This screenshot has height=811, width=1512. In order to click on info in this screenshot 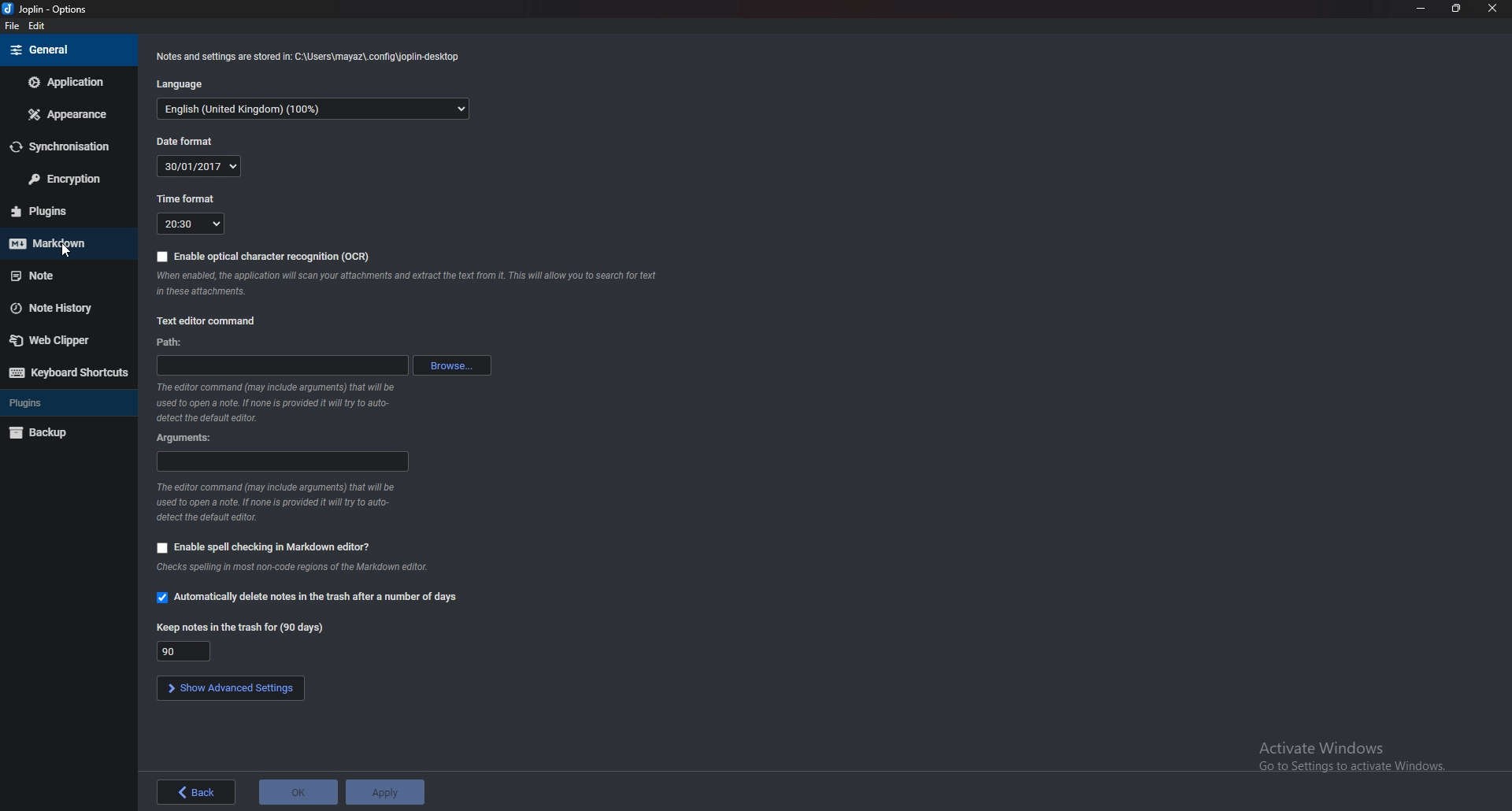, I will do `click(280, 402)`.